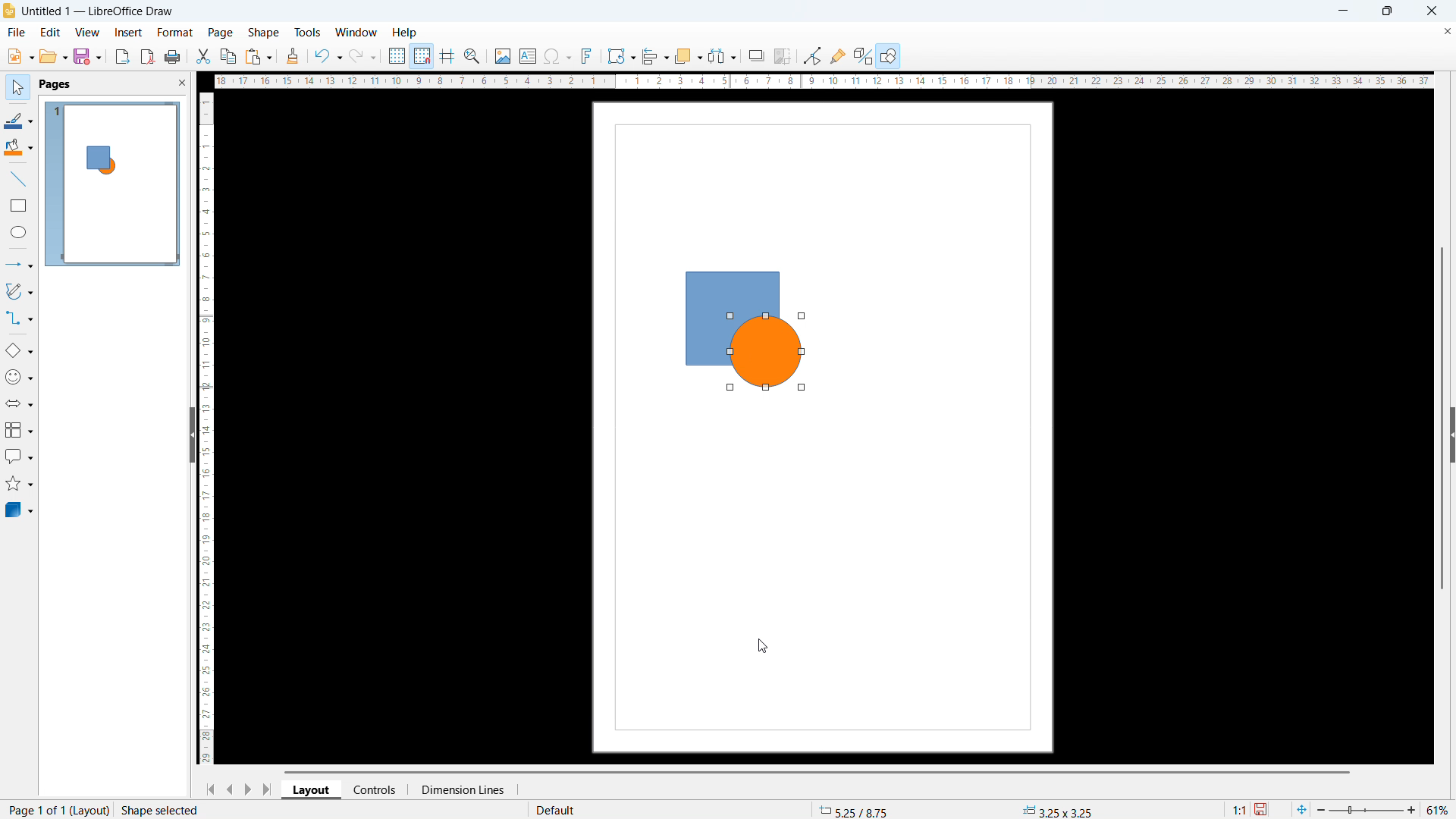 This screenshot has height=819, width=1456. What do you see at coordinates (1439, 808) in the screenshot?
I see `zoom level` at bounding box center [1439, 808].